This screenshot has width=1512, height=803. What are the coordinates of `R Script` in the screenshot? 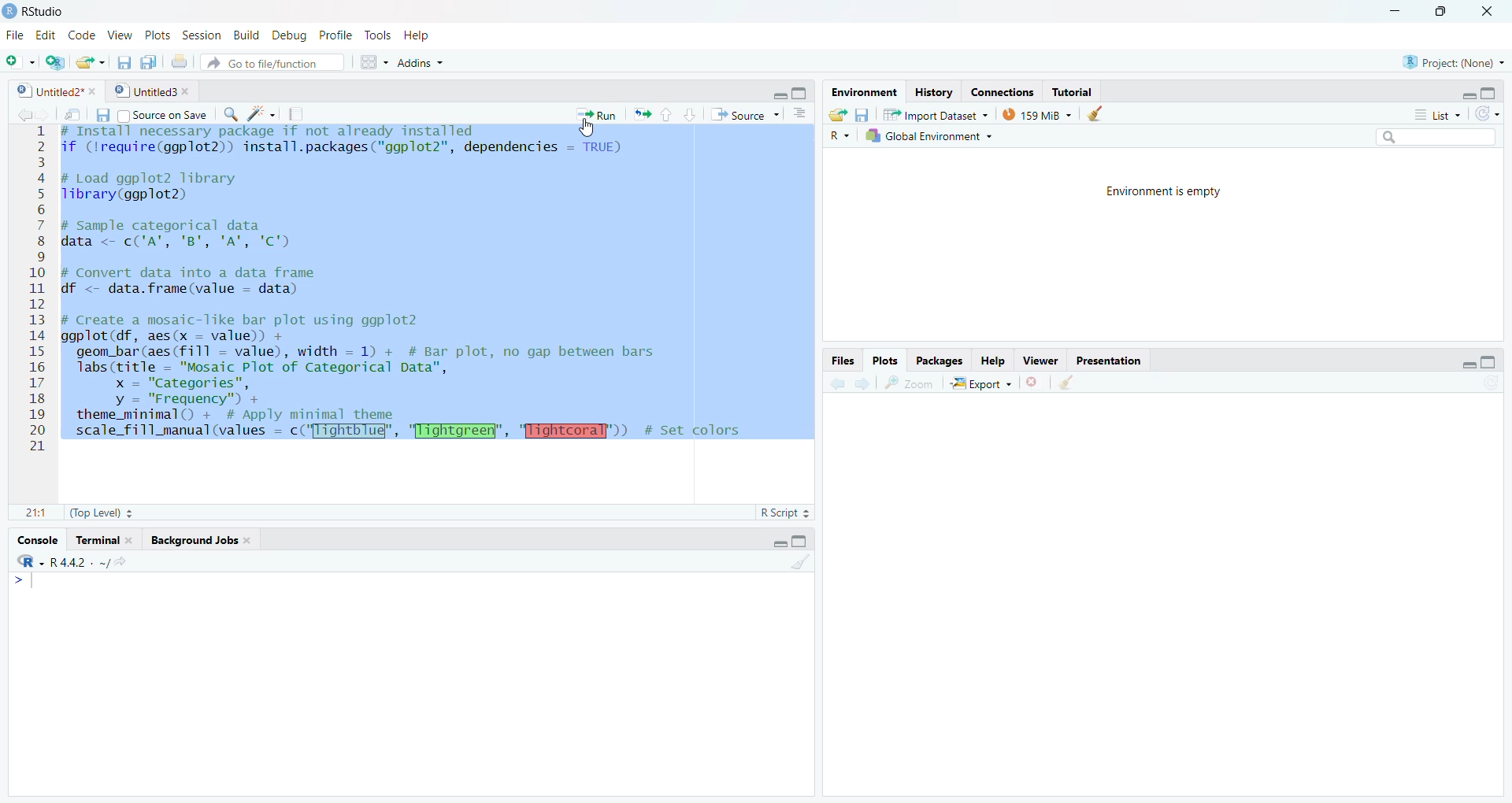 It's located at (784, 513).